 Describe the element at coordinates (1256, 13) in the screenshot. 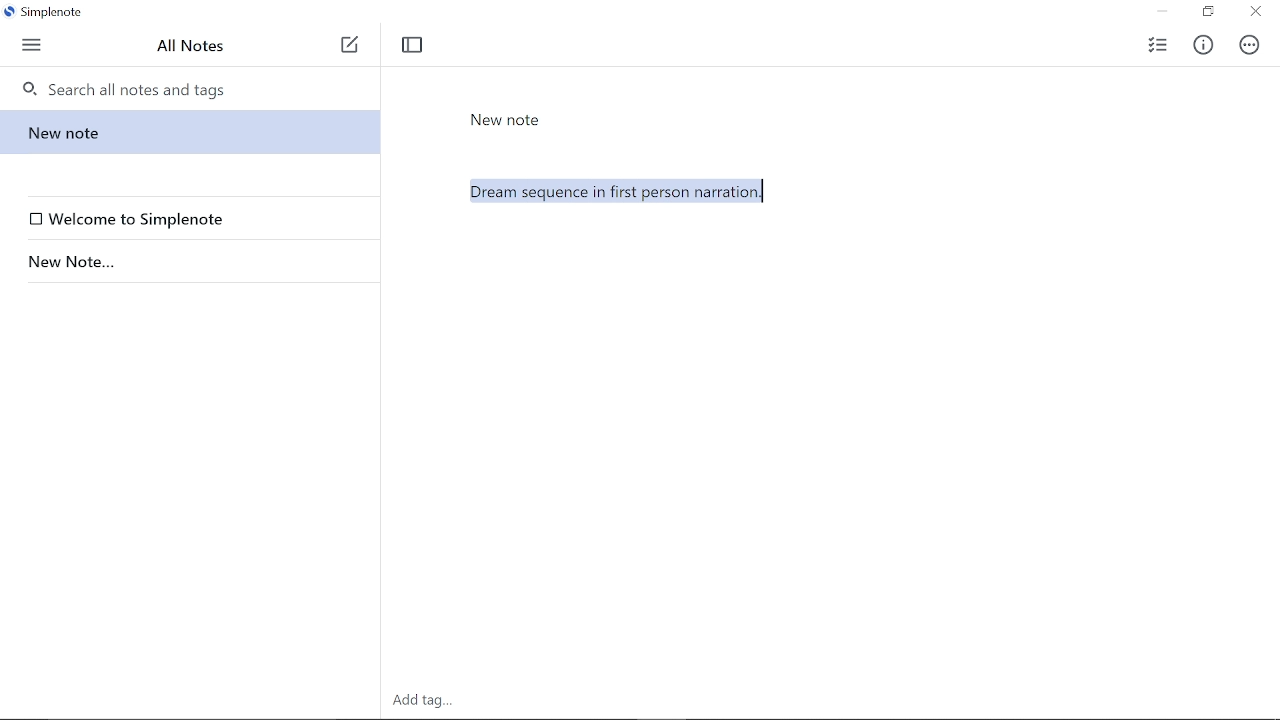

I see `Close` at that location.